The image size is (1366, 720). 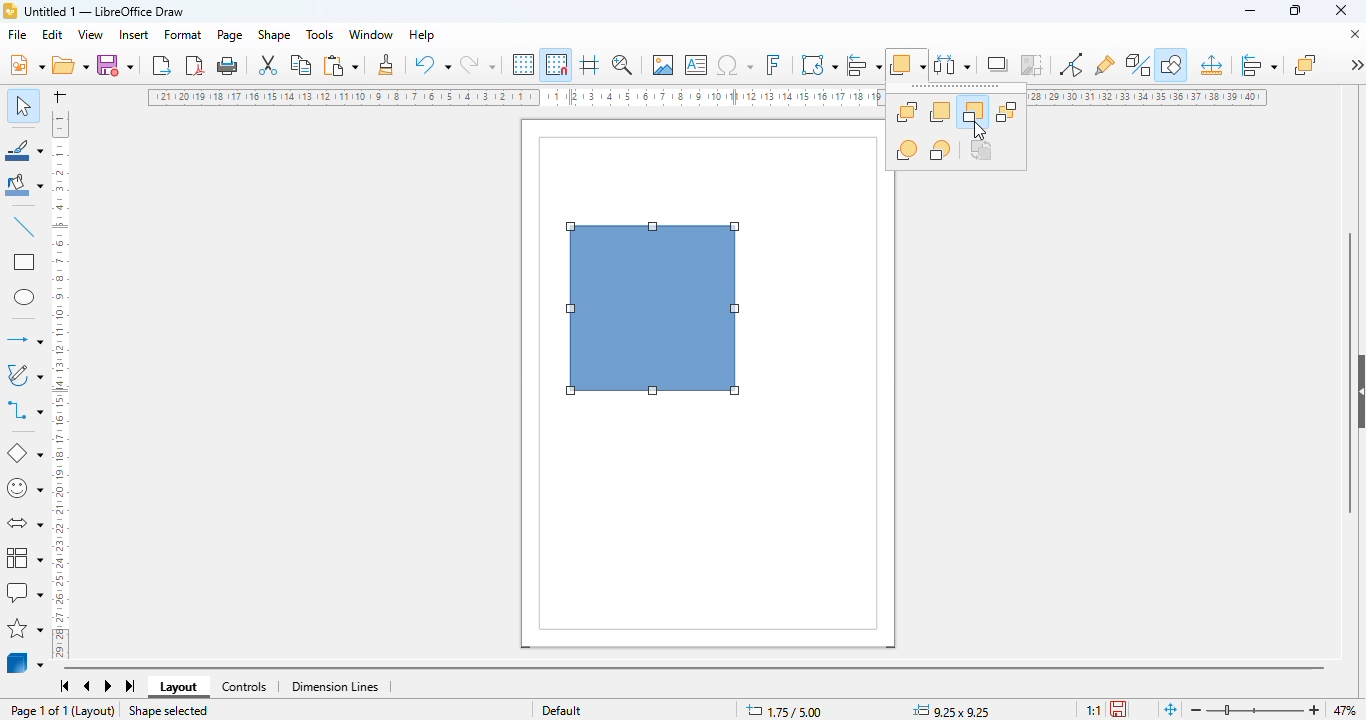 I want to click on shape, so click(x=274, y=35).